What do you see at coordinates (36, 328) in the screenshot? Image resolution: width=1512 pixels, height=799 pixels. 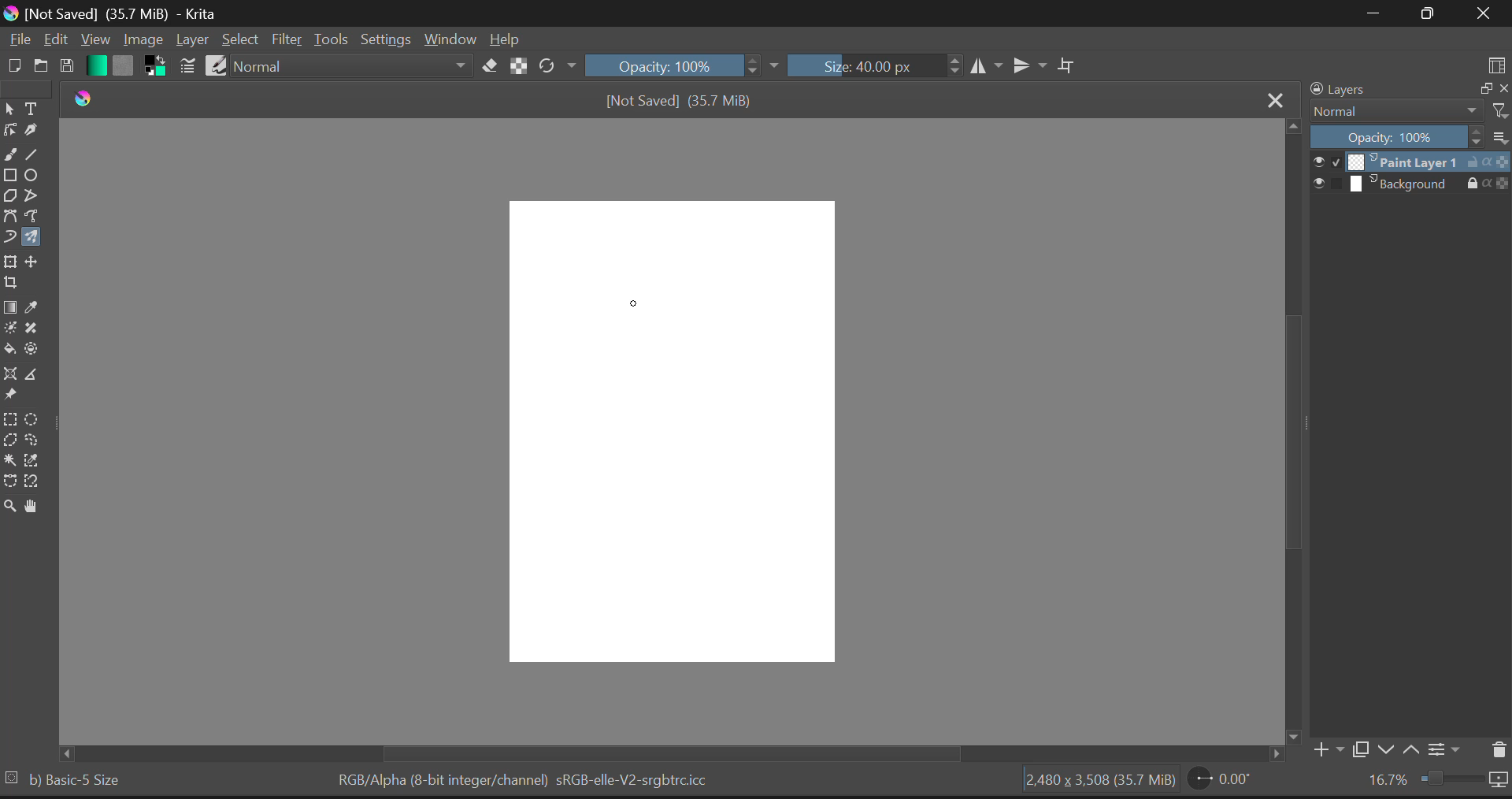 I see `Smart Patch Tool` at bounding box center [36, 328].